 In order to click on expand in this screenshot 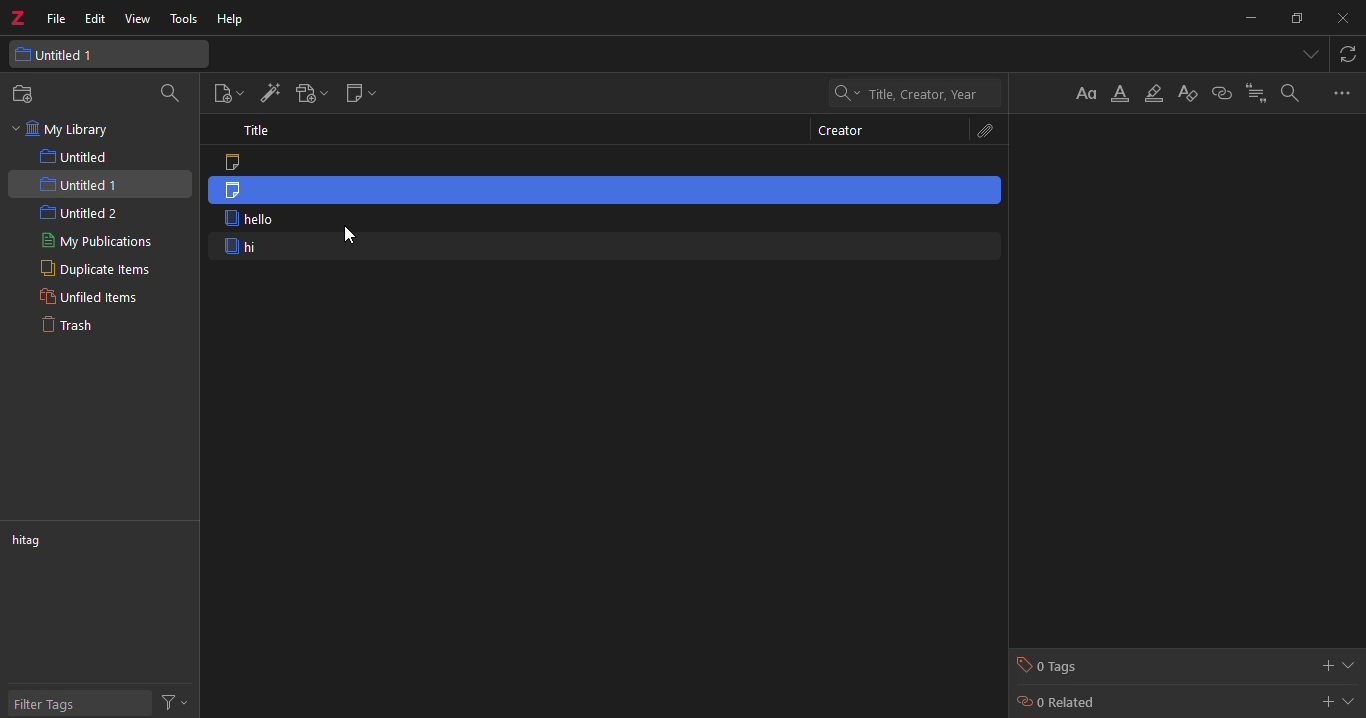, I will do `click(1349, 700)`.